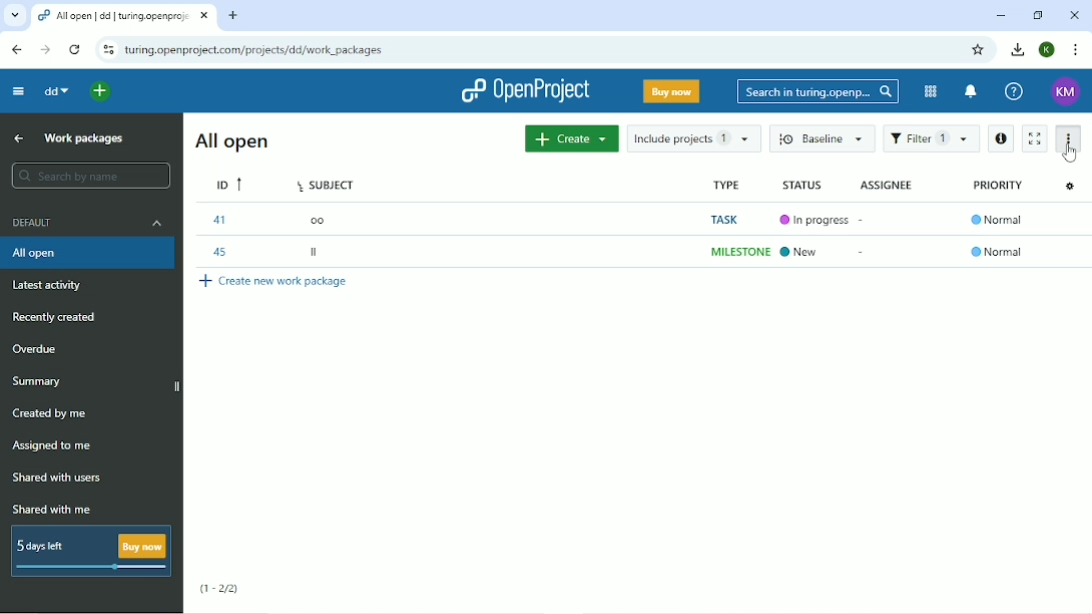 The image size is (1092, 614). I want to click on Back, so click(18, 50).